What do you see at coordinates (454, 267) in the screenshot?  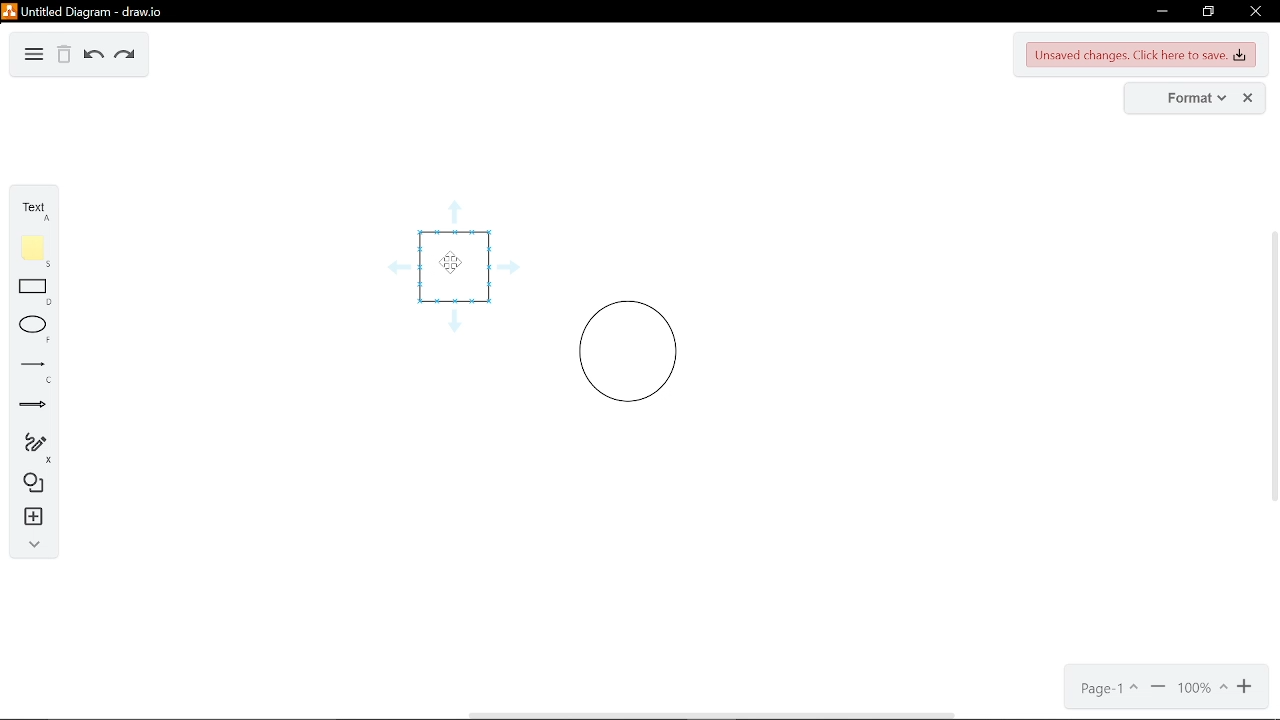 I see `cursor hovering over square` at bounding box center [454, 267].